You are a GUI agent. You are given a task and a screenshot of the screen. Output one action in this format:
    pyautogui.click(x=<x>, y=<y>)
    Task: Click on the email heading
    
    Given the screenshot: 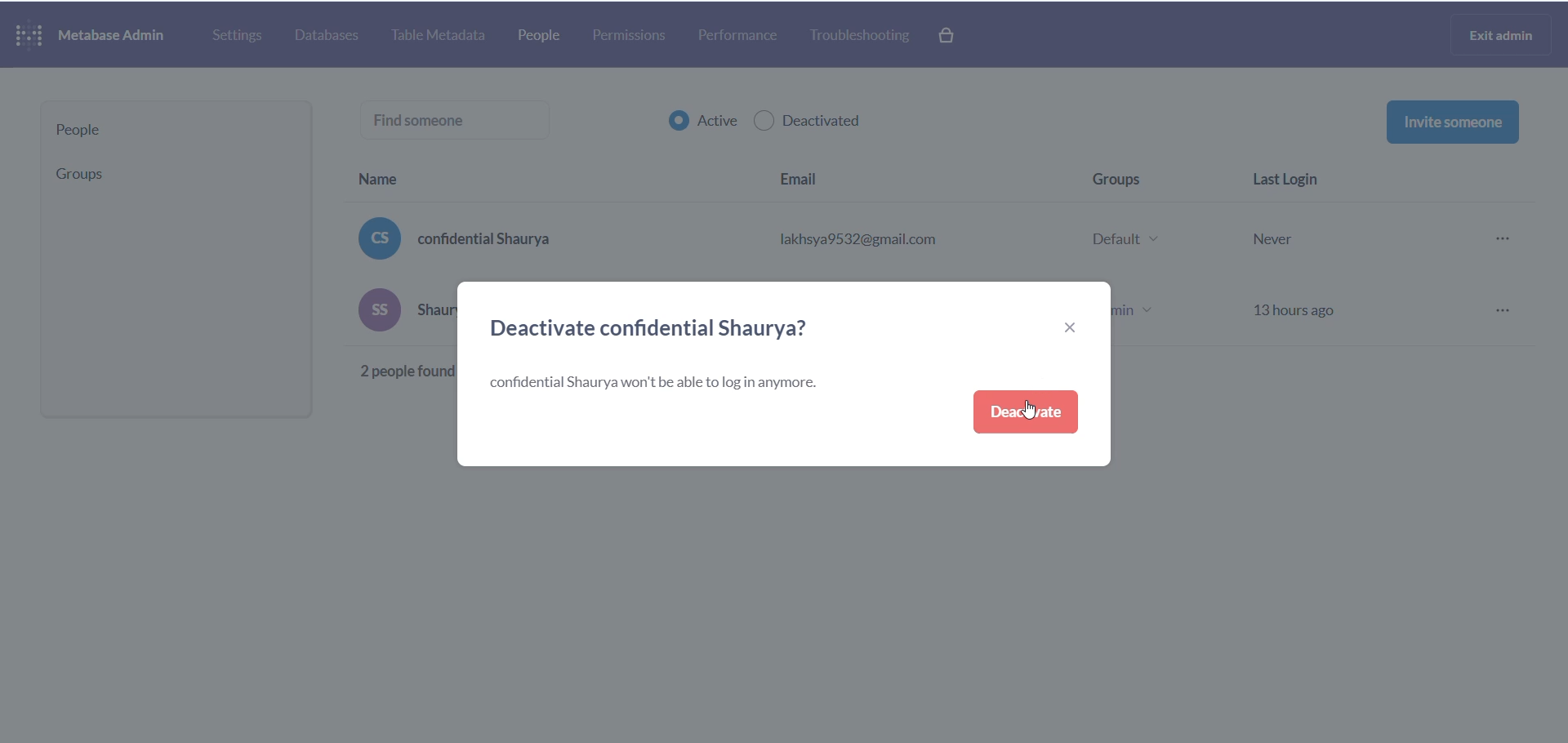 What is the action you would take?
    pyautogui.click(x=839, y=176)
    